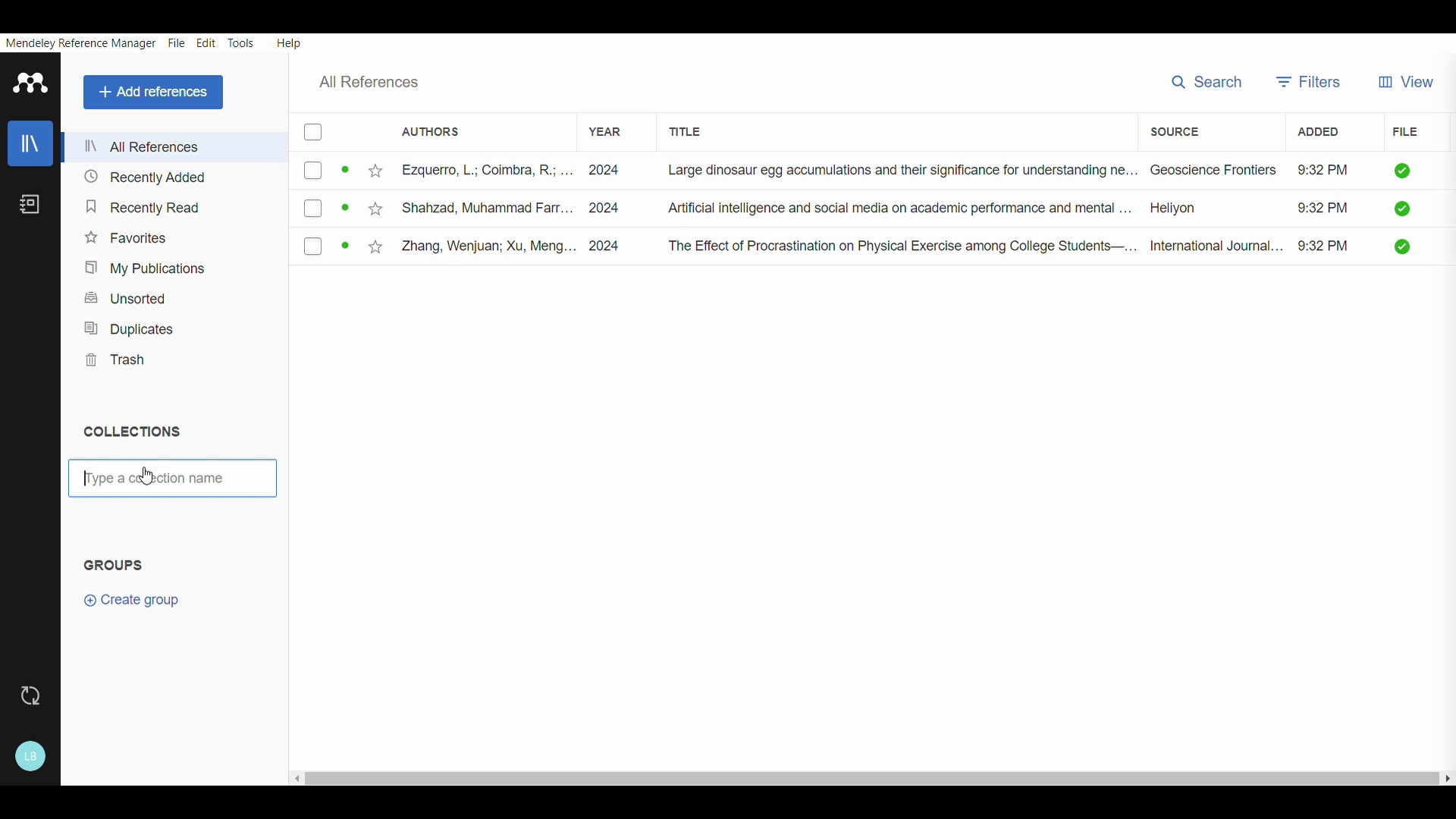 This screenshot has height=819, width=1456. Describe the element at coordinates (291, 41) in the screenshot. I see `Help` at that location.